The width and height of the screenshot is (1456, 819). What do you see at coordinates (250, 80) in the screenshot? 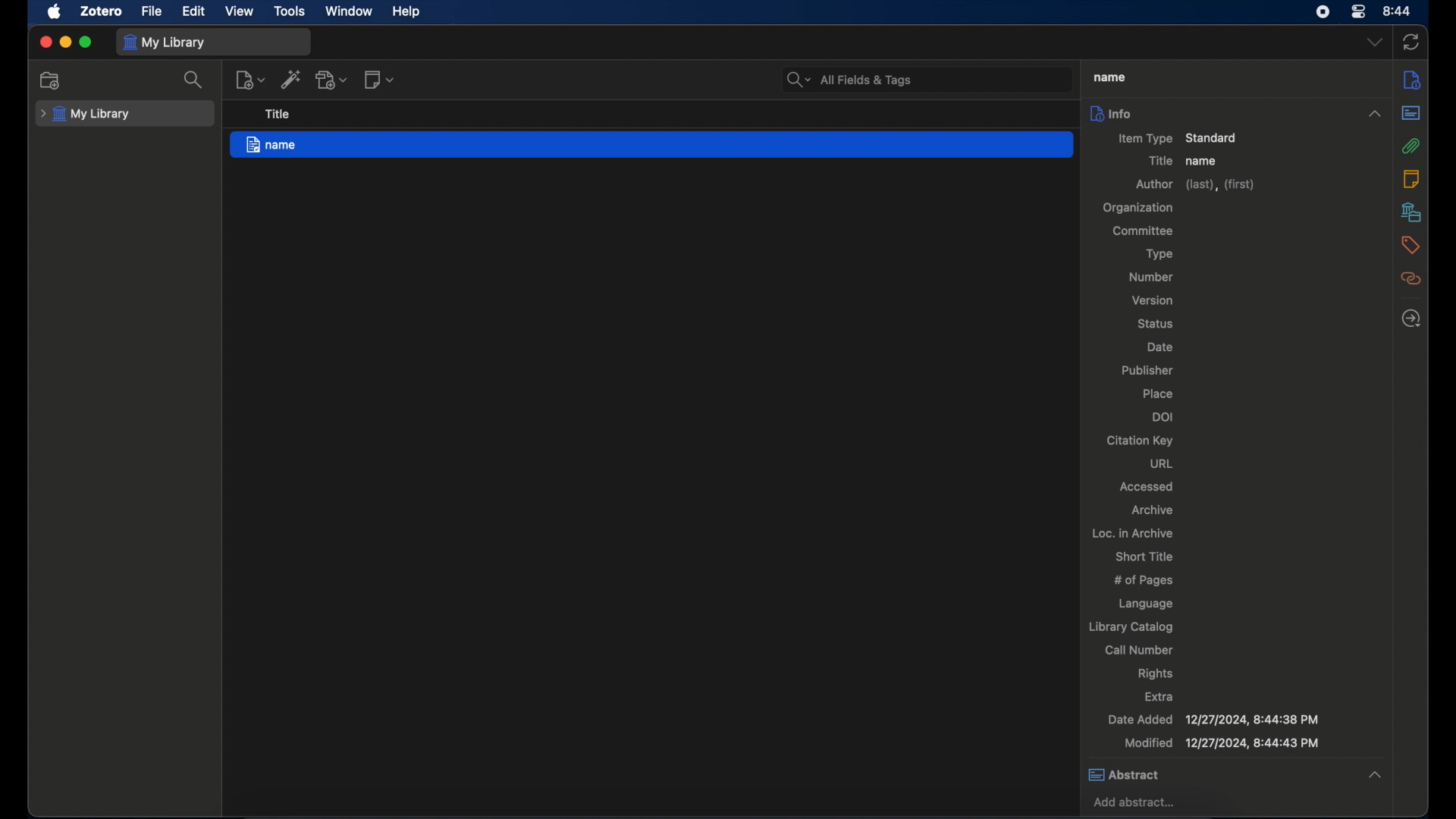
I see `new item` at bounding box center [250, 80].